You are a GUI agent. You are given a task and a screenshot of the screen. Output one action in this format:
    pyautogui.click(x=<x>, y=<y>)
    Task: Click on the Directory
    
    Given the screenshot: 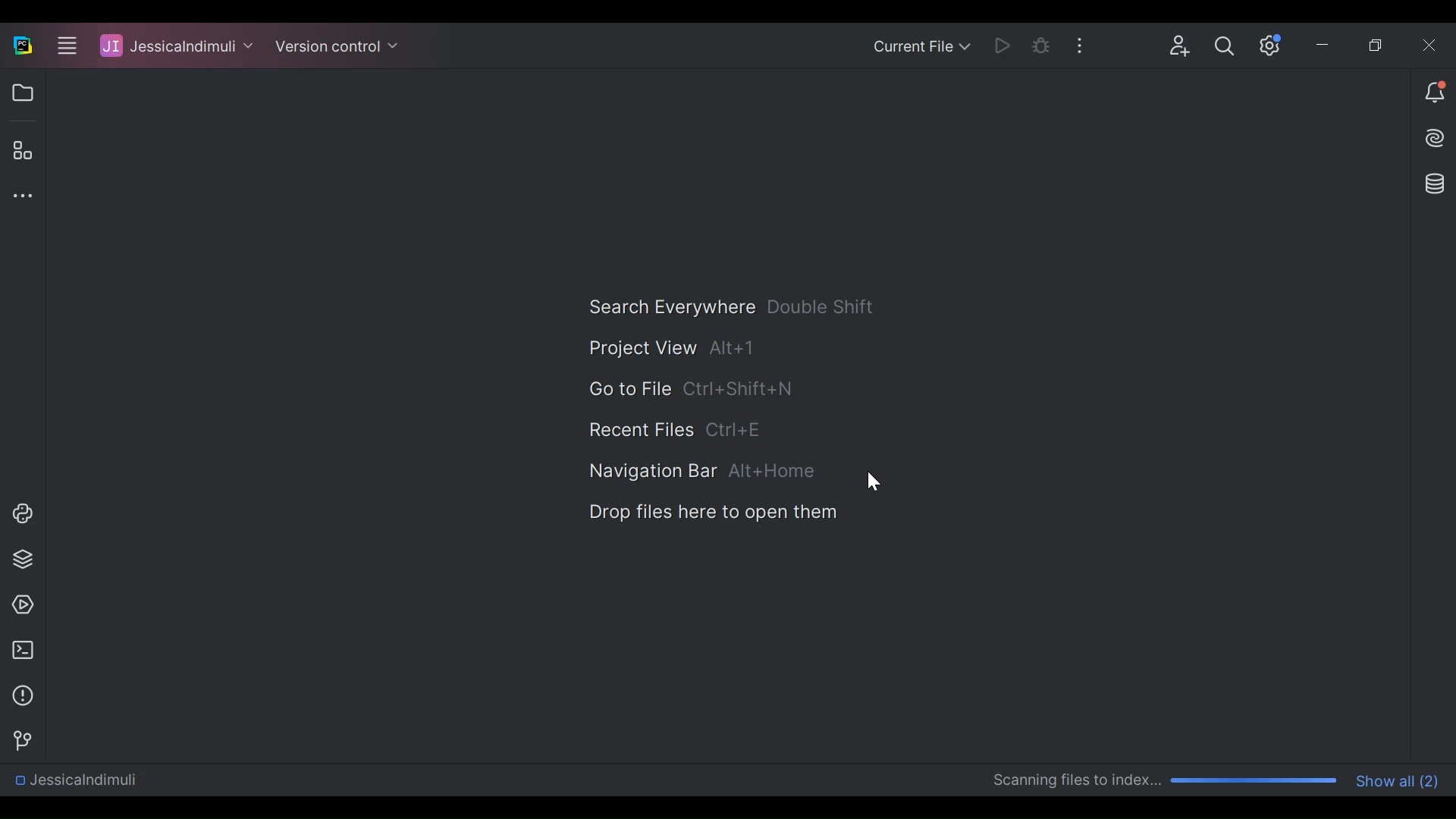 What is the action you would take?
    pyautogui.click(x=74, y=782)
    